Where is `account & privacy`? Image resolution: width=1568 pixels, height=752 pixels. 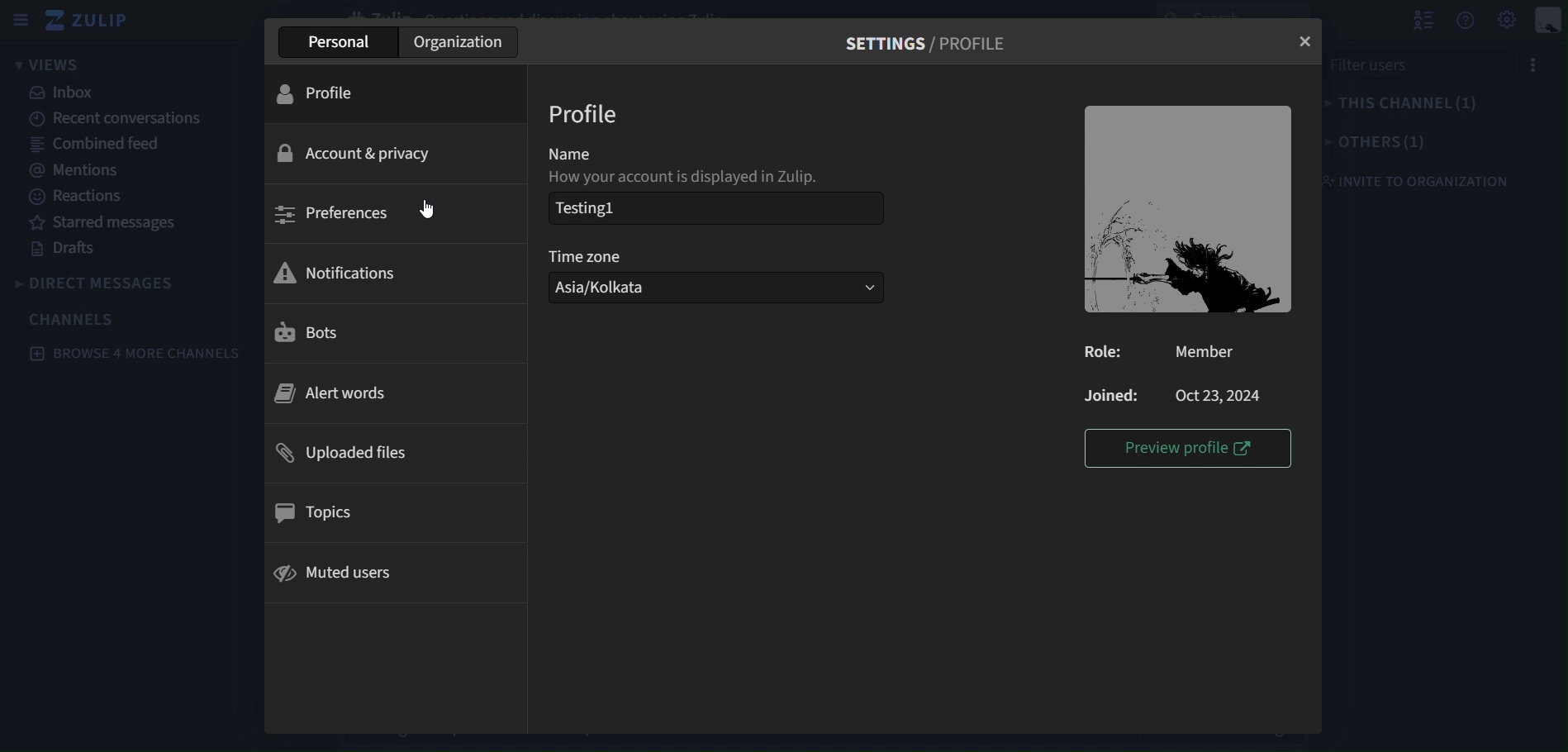
account & privacy is located at coordinates (399, 153).